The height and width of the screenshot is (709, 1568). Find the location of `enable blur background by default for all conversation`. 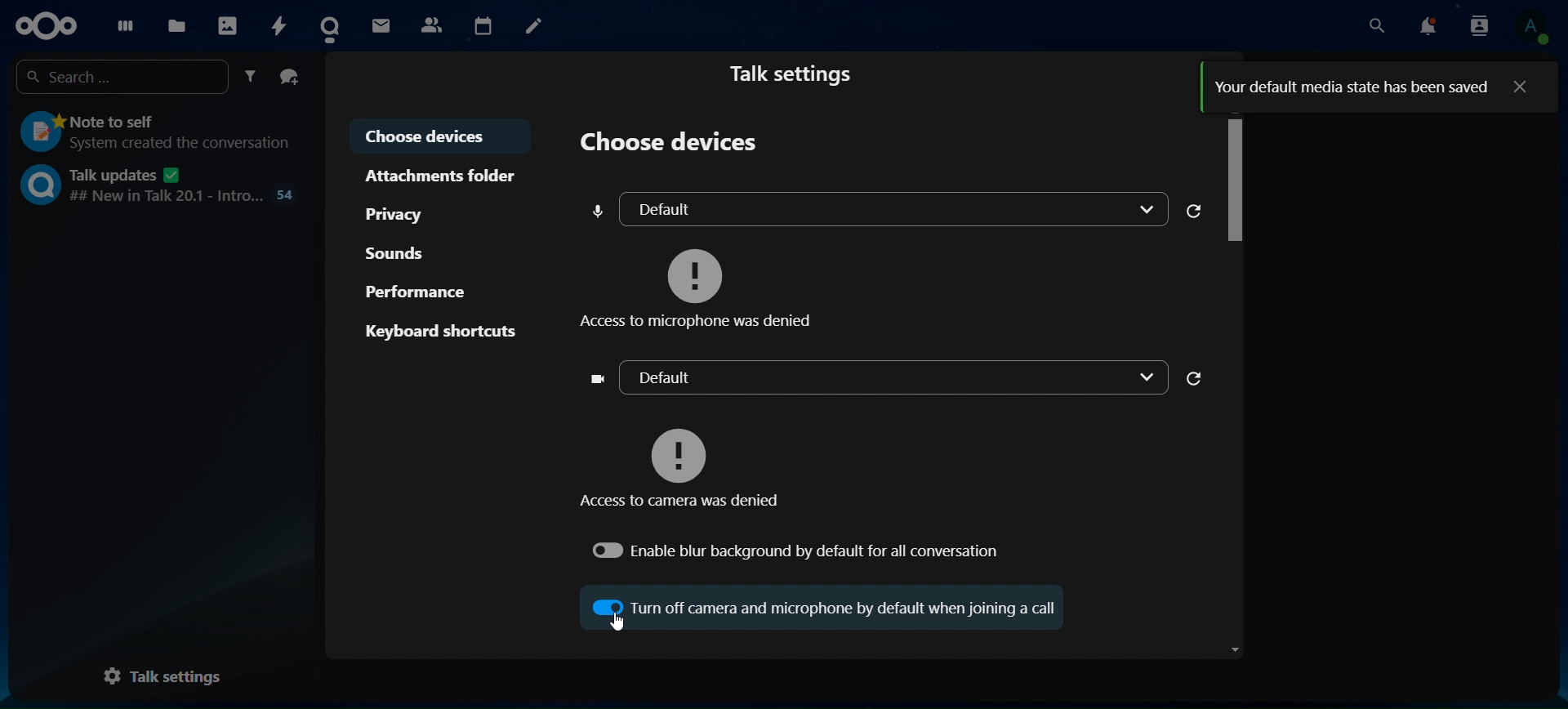

enable blur background by default for all conversation is located at coordinates (795, 550).